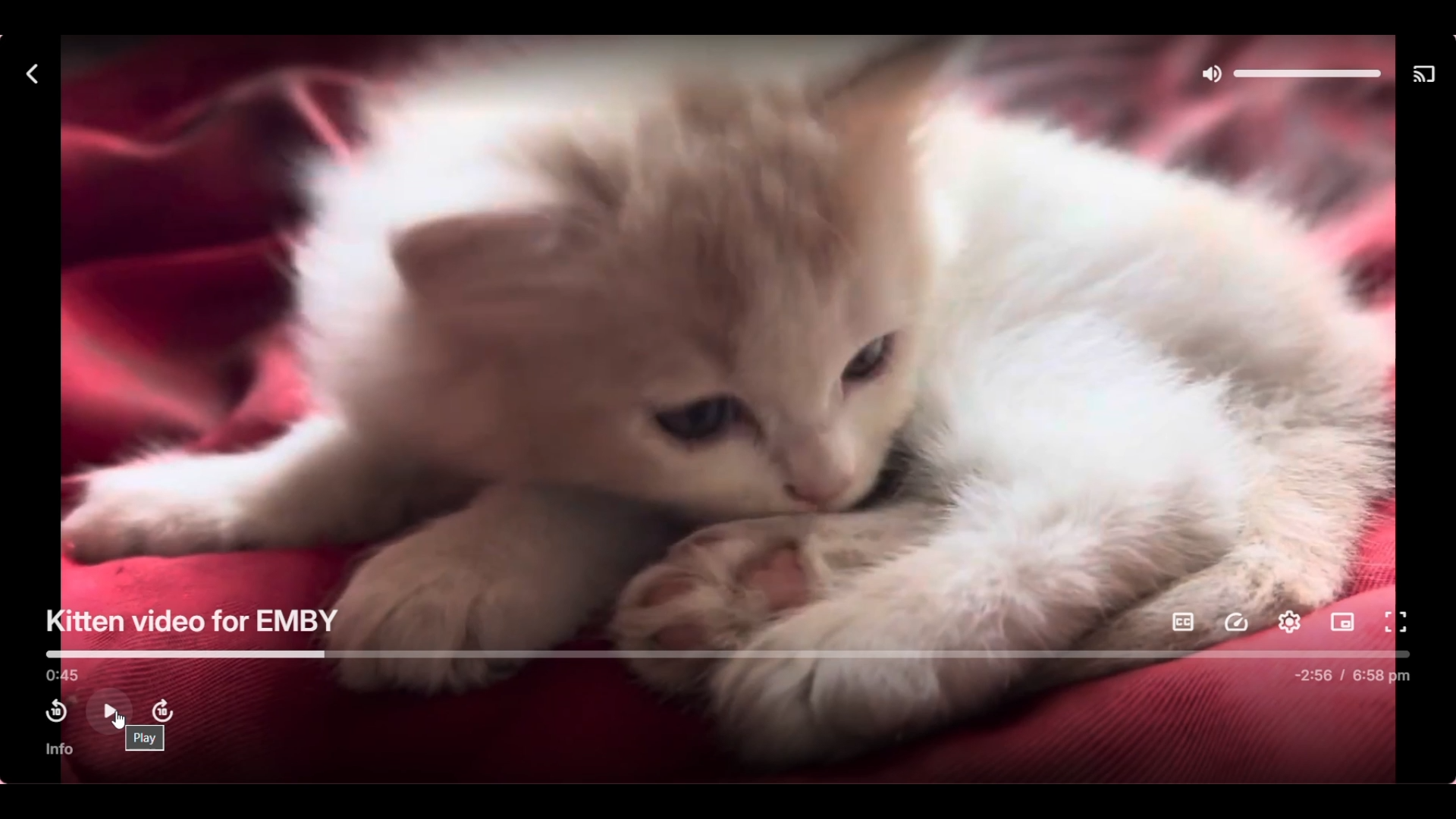 Image resolution: width=1456 pixels, height=819 pixels. What do you see at coordinates (1395, 623) in the screenshot?
I see `Fullscreen` at bounding box center [1395, 623].